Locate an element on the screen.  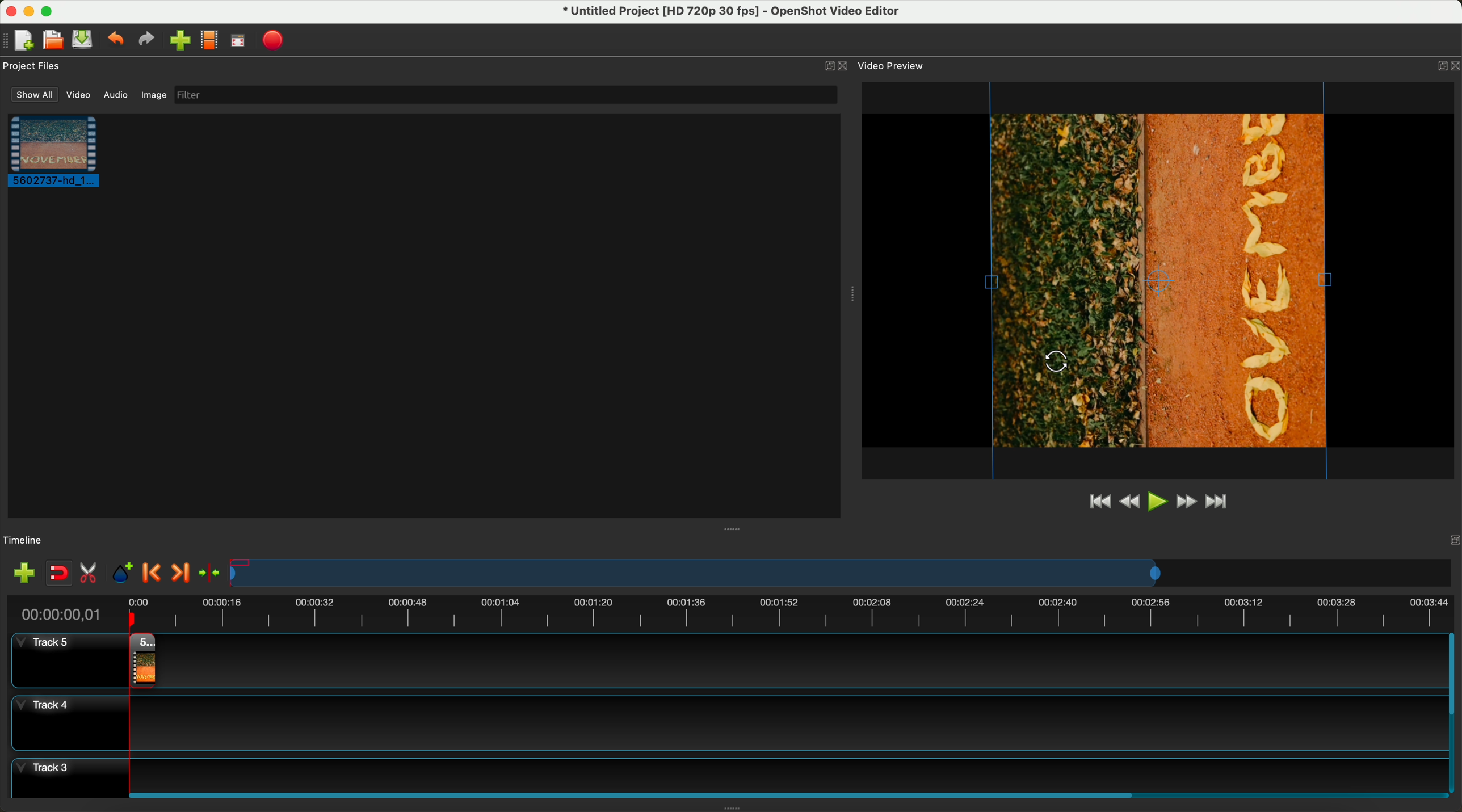
play is located at coordinates (1156, 502).